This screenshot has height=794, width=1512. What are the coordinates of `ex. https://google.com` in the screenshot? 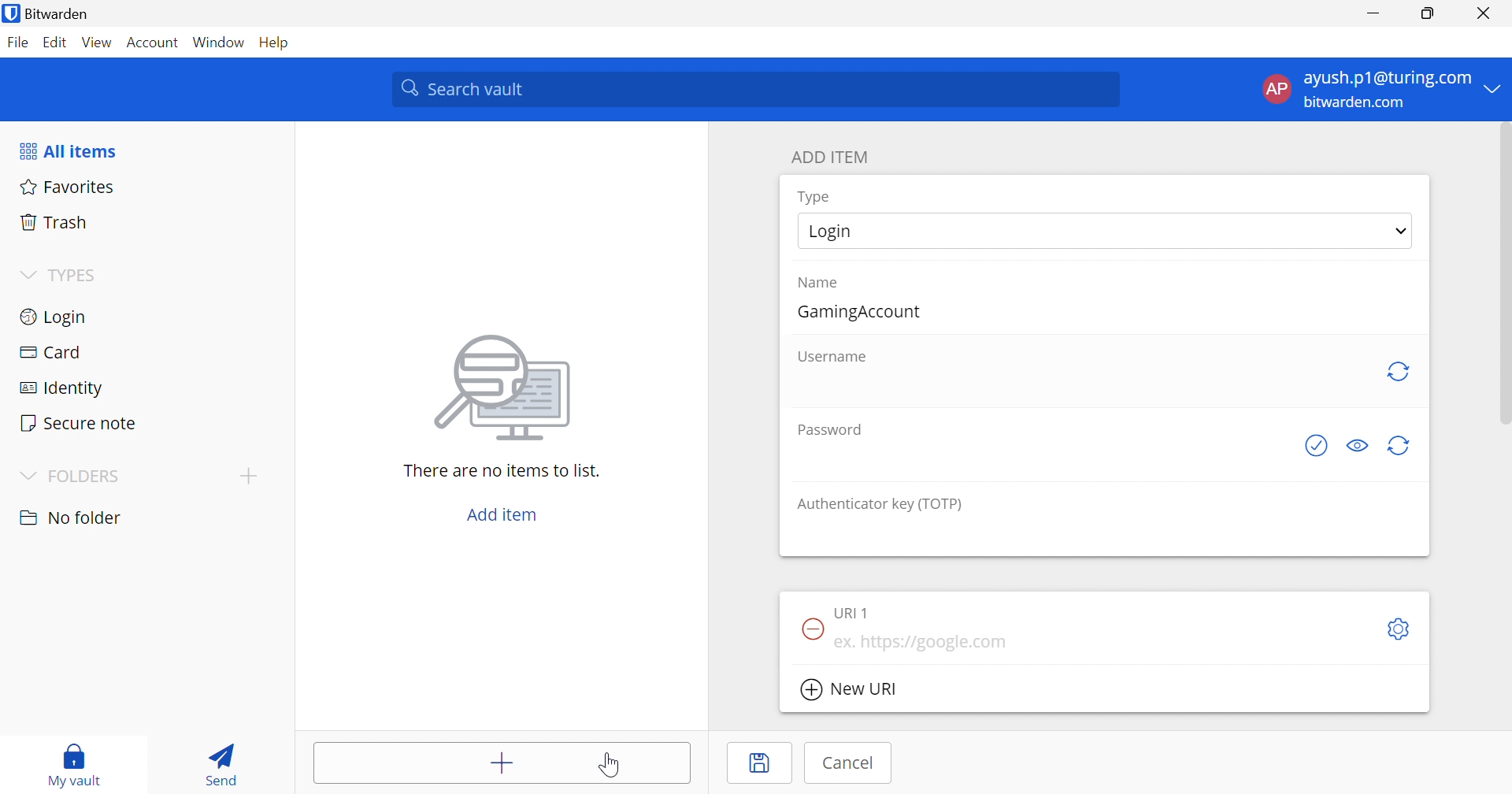 It's located at (923, 643).